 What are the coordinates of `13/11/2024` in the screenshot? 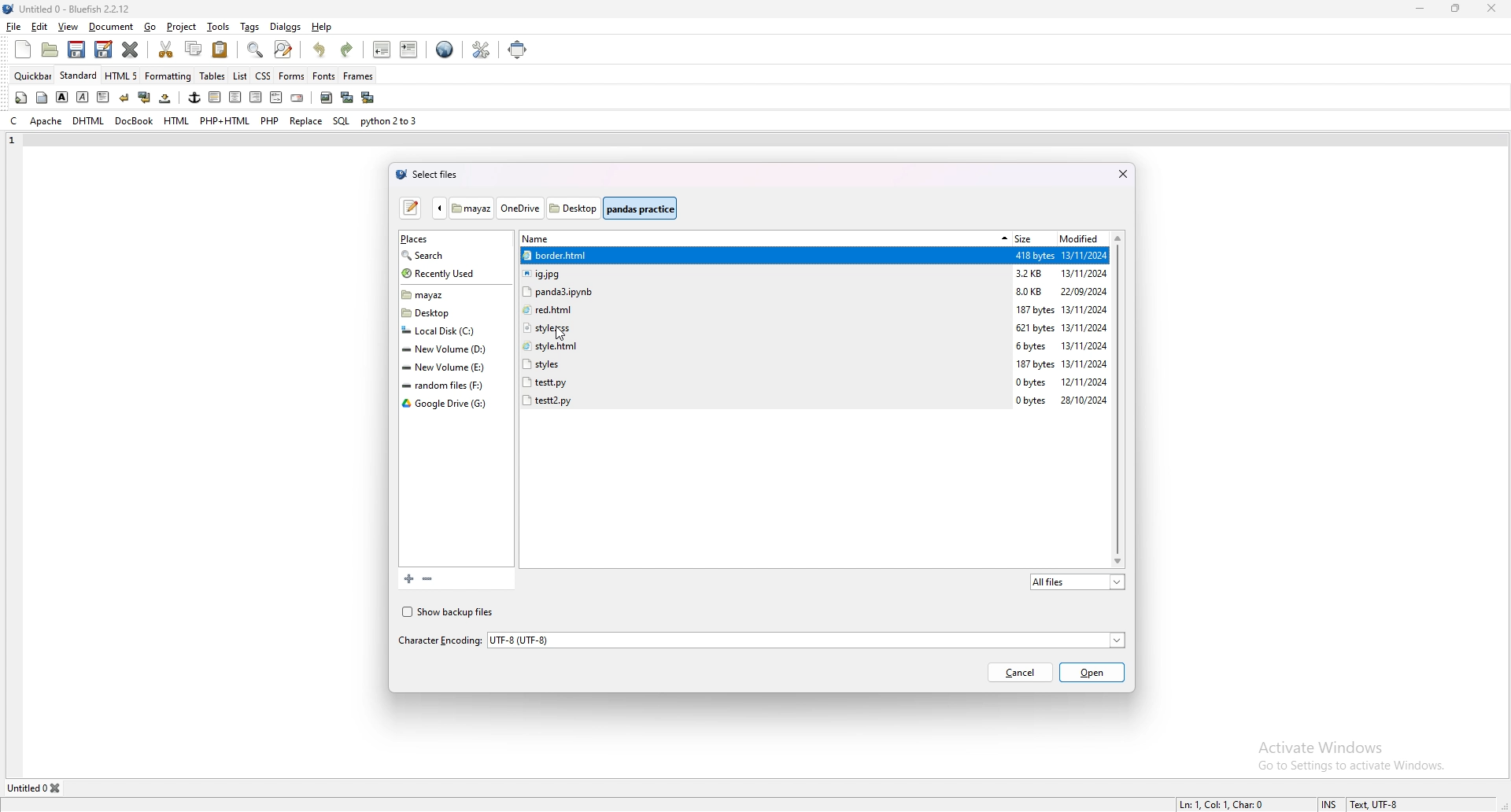 It's located at (1084, 256).